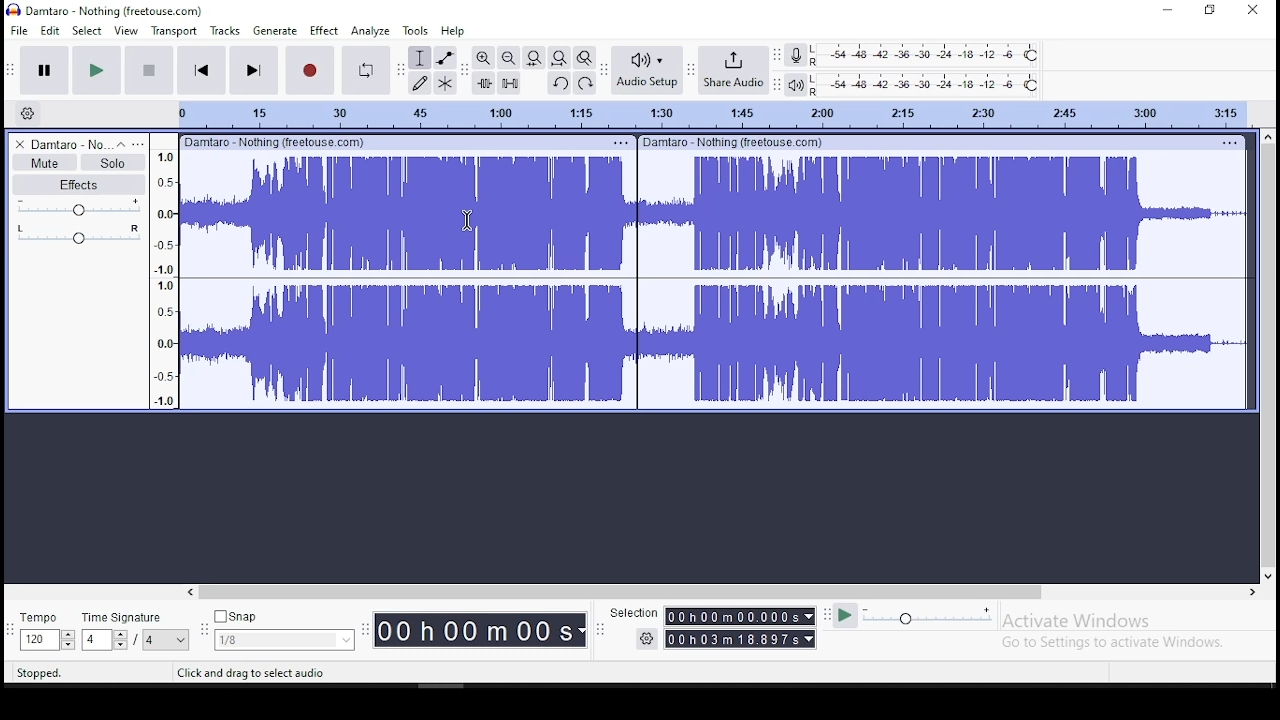  What do you see at coordinates (561, 83) in the screenshot?
I see `undo` at bounding box center [561, 83].